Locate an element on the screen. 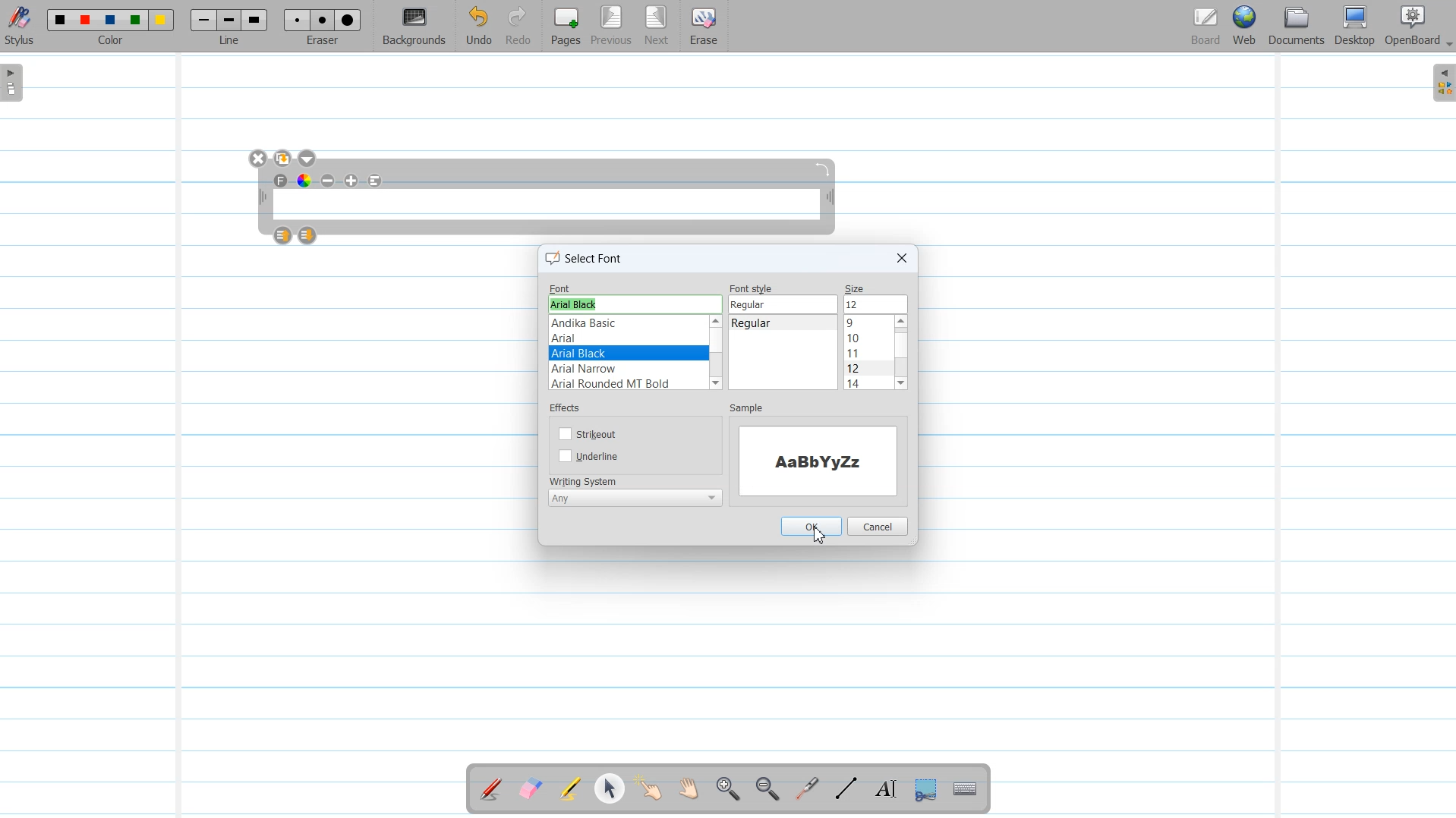  Pages is located at coordinates (564, 26).